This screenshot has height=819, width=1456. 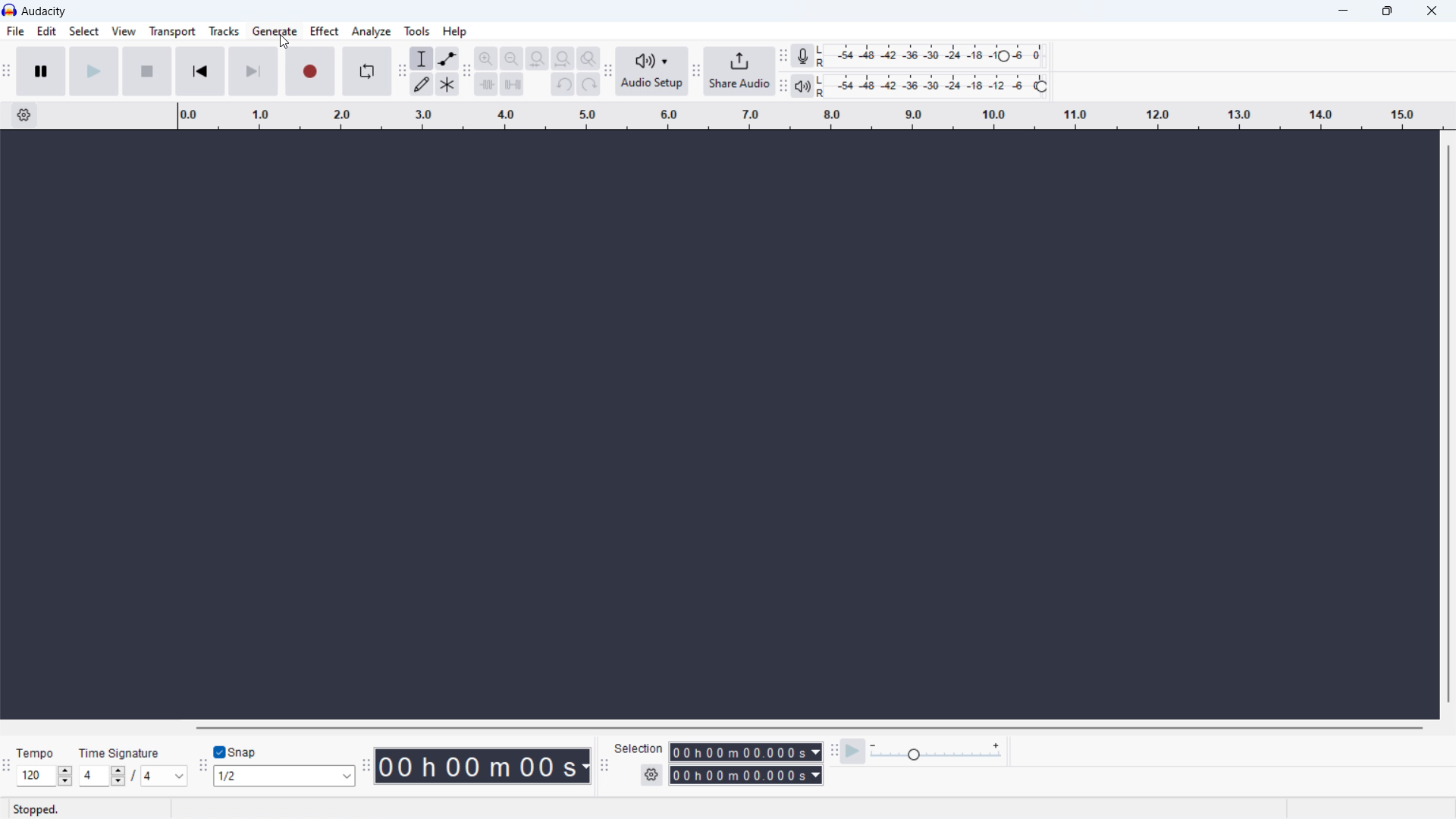 What do you see at coordinates (482, 766) in the screenshot?
I see `timestamp` at bounding box center [482, 766].